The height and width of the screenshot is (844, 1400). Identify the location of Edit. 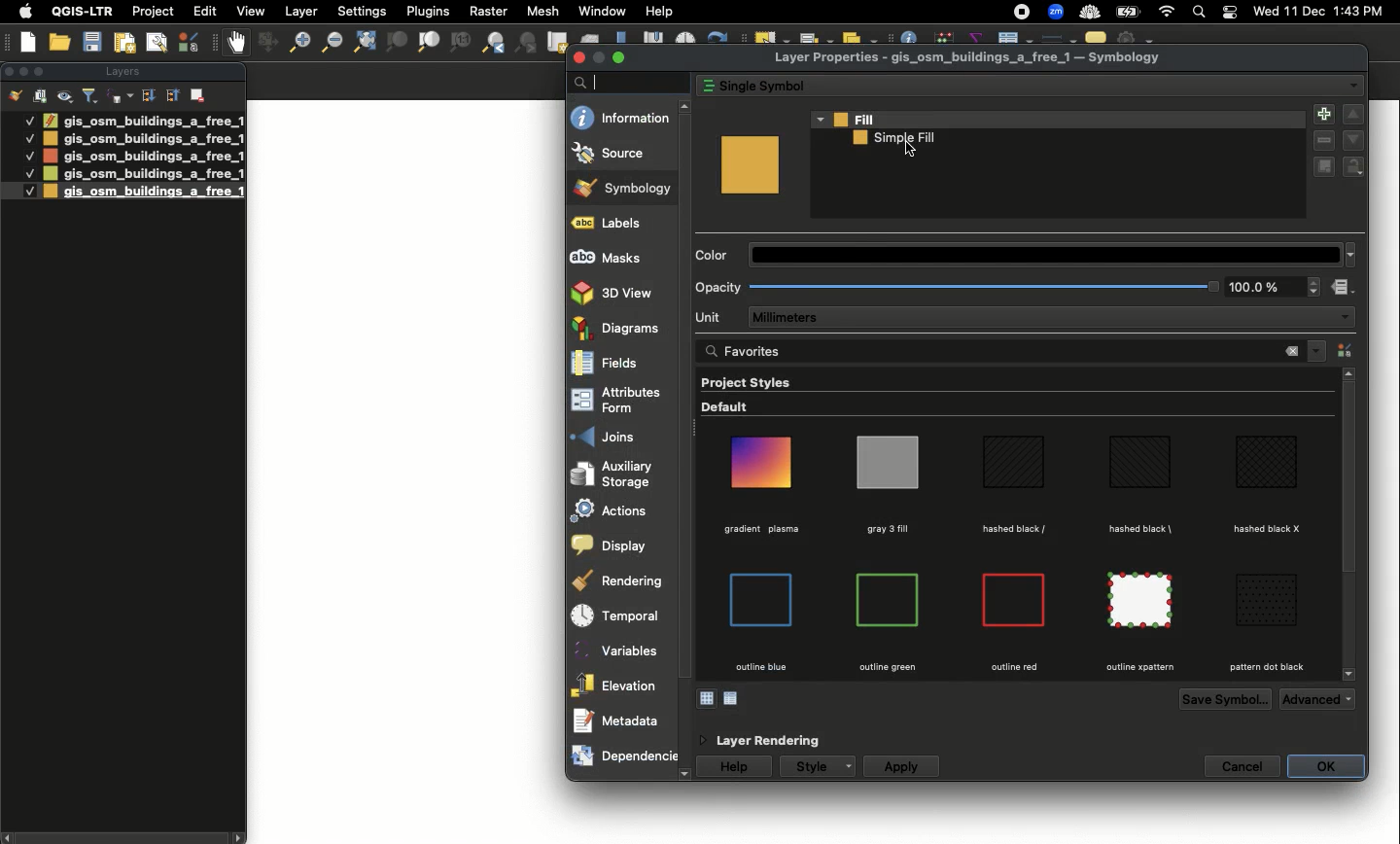
(205, 11).